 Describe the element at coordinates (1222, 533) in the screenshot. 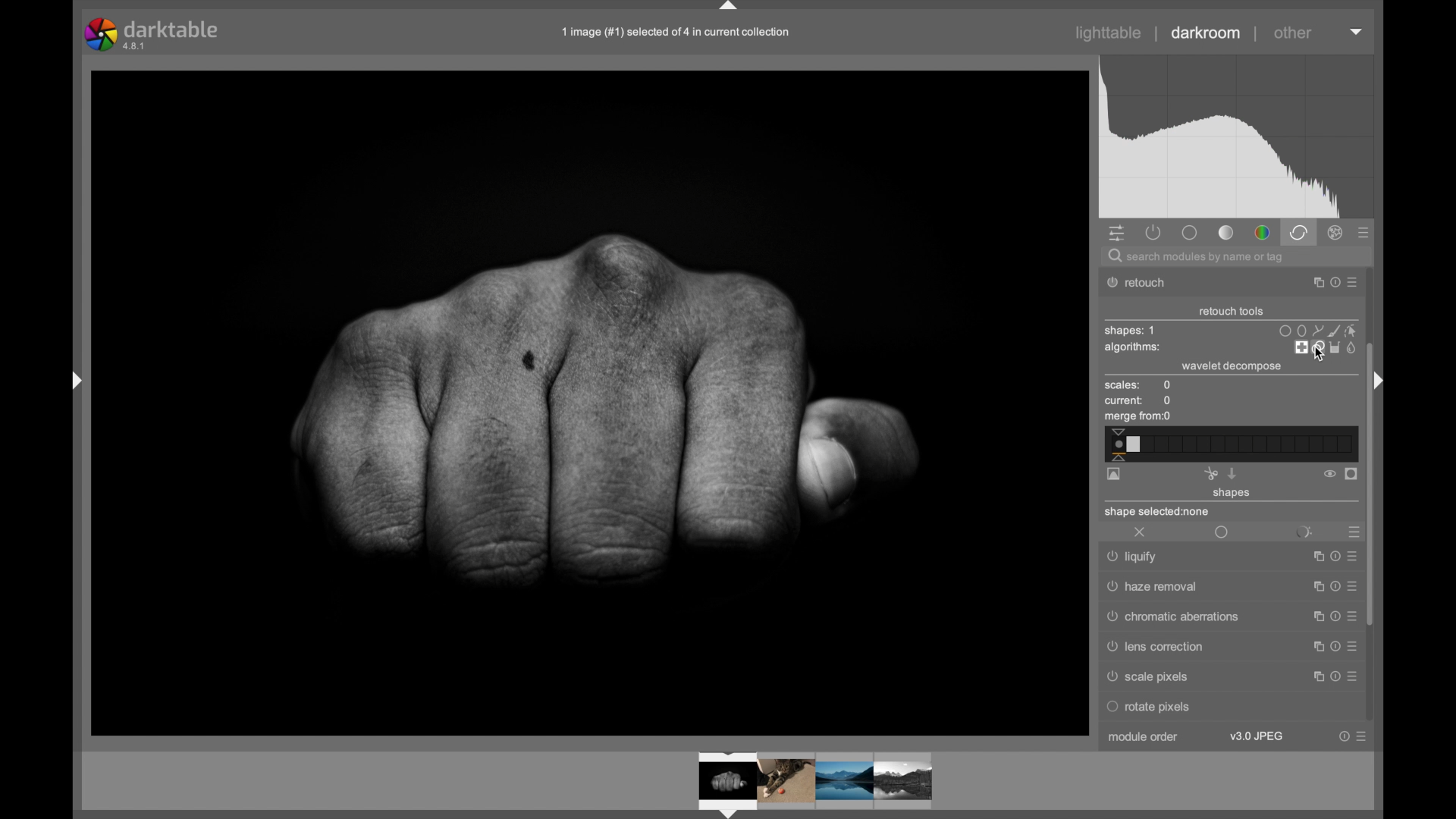

I see `uniformly` at that location.